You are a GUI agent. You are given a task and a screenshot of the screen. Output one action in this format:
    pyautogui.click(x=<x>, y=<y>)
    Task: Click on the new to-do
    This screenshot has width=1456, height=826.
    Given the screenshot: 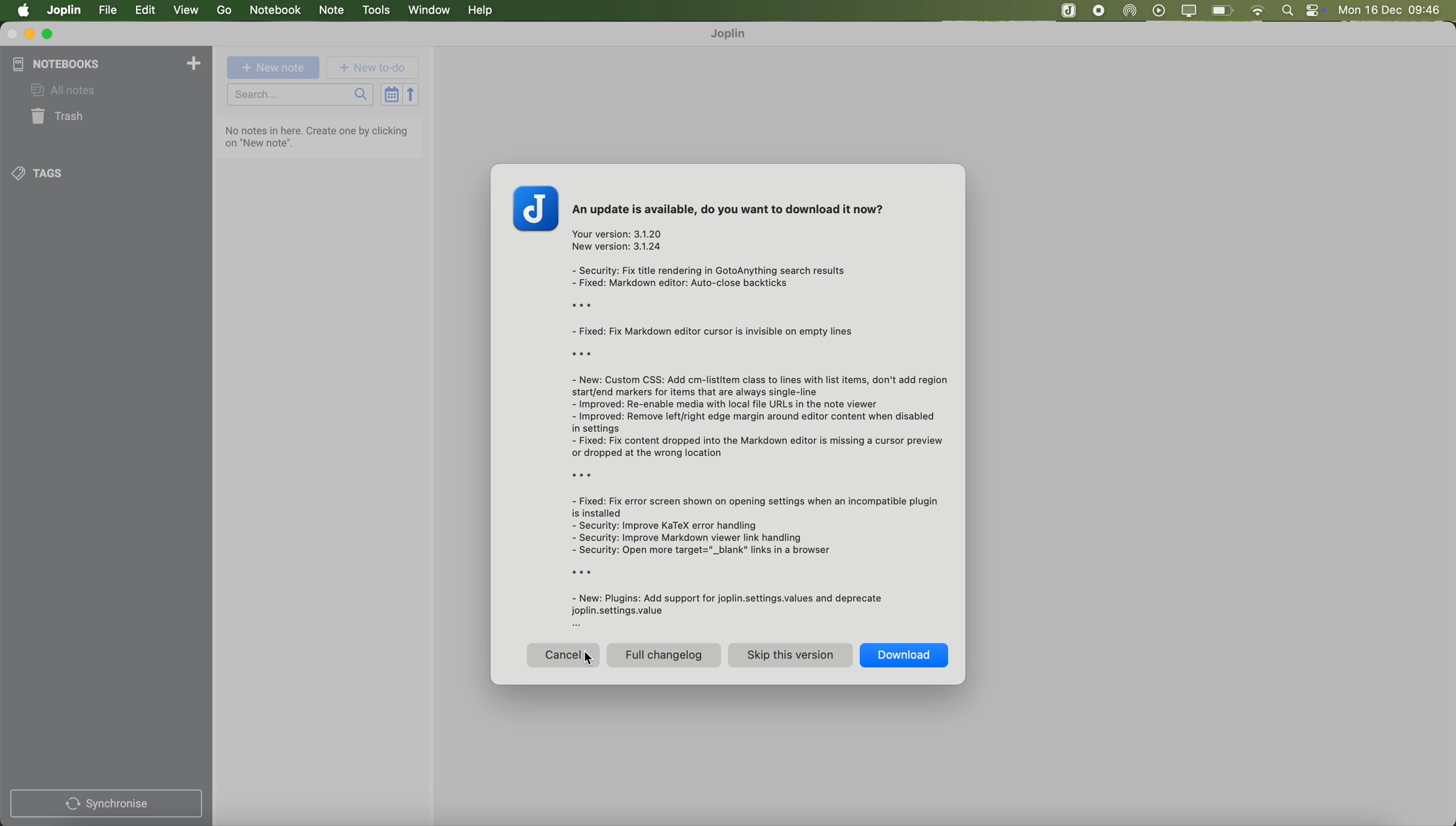 What is the action you would take?
    pyautogui.click(x=371, y=69)
    